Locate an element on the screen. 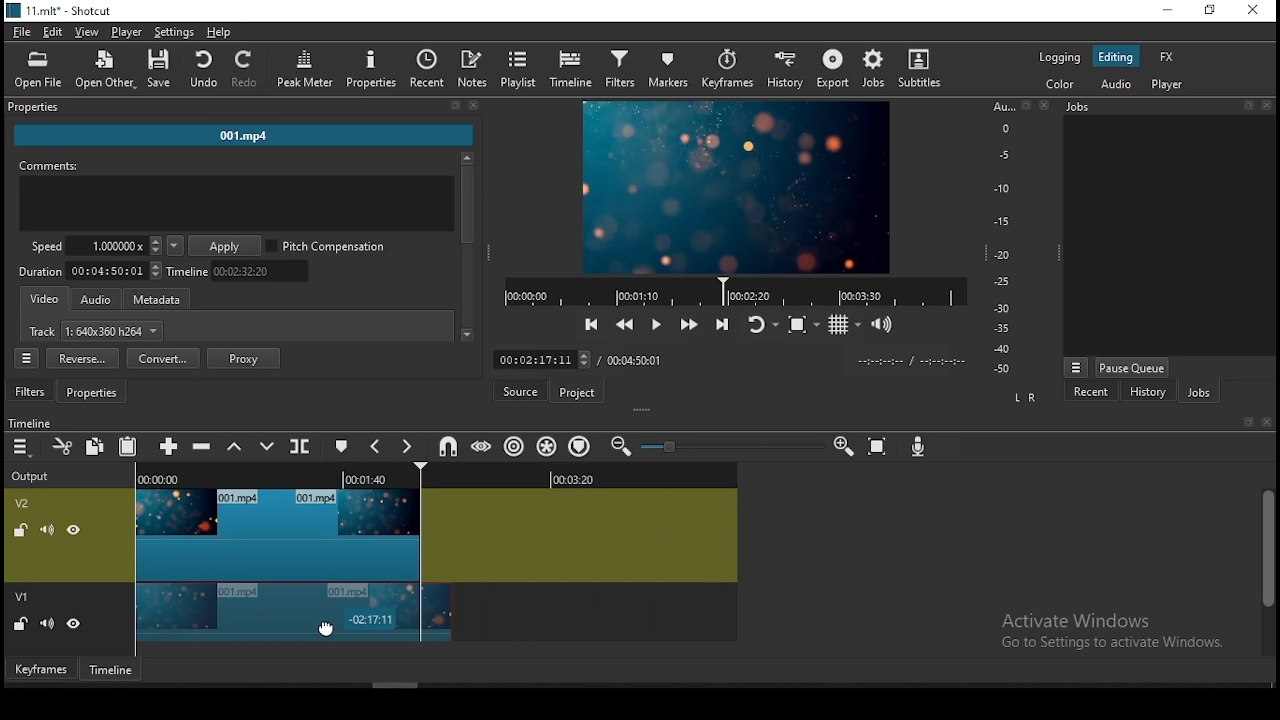  scroll bar is located at coordinates (1266, 570).